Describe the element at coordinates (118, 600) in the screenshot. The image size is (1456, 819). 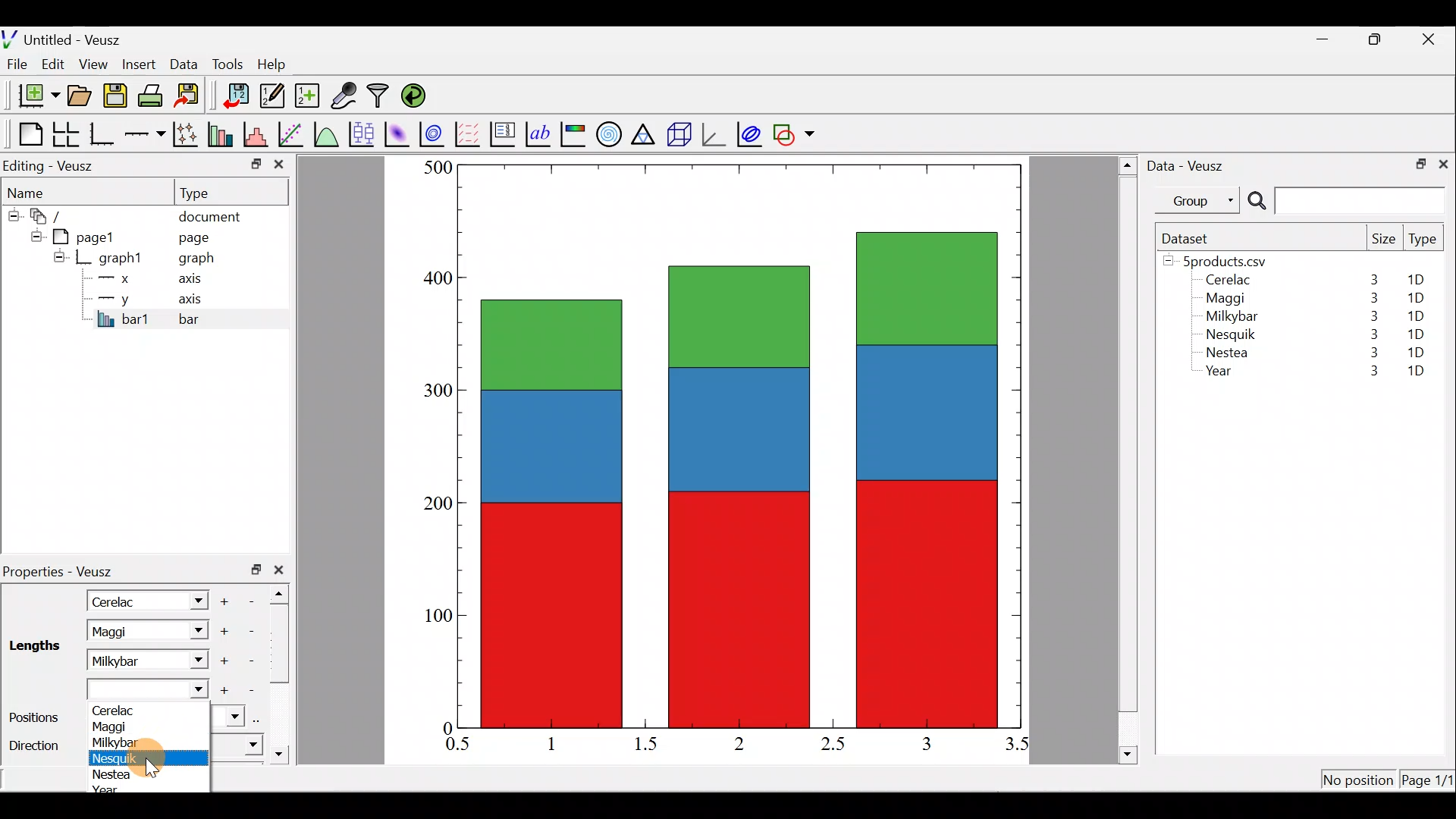
I see `Cerelac` at that location.